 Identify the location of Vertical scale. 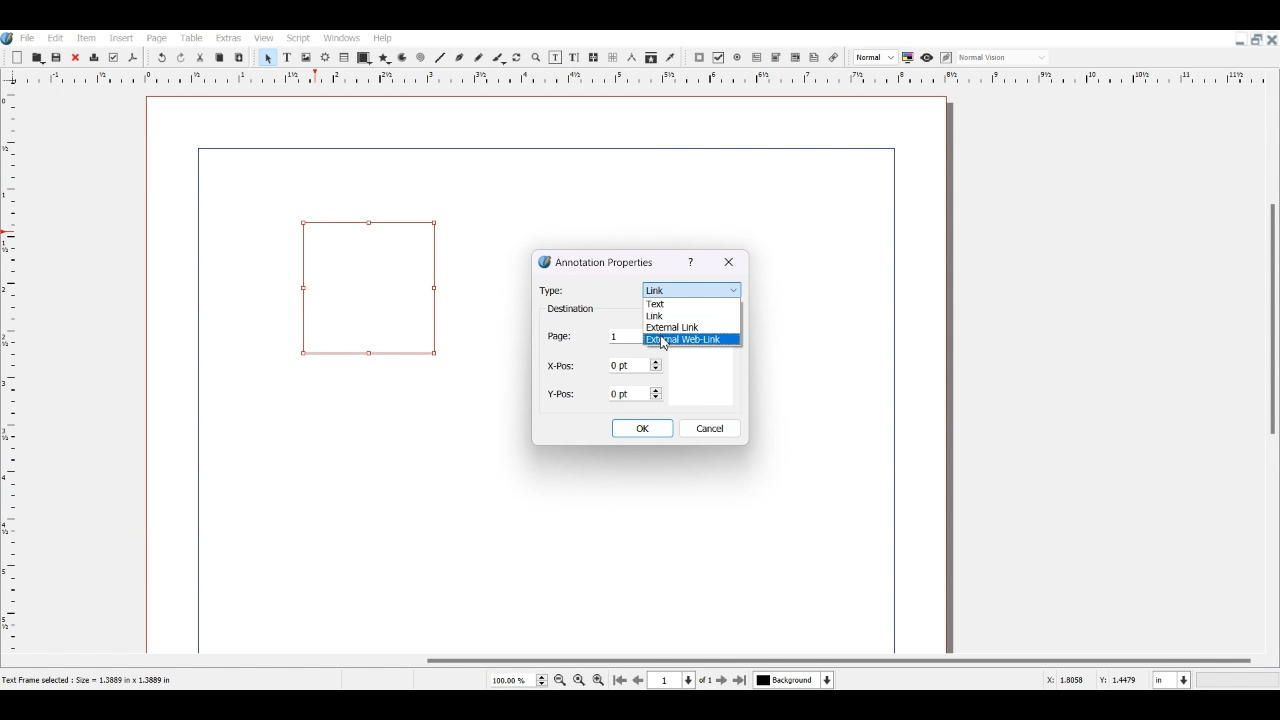
(628, 79).